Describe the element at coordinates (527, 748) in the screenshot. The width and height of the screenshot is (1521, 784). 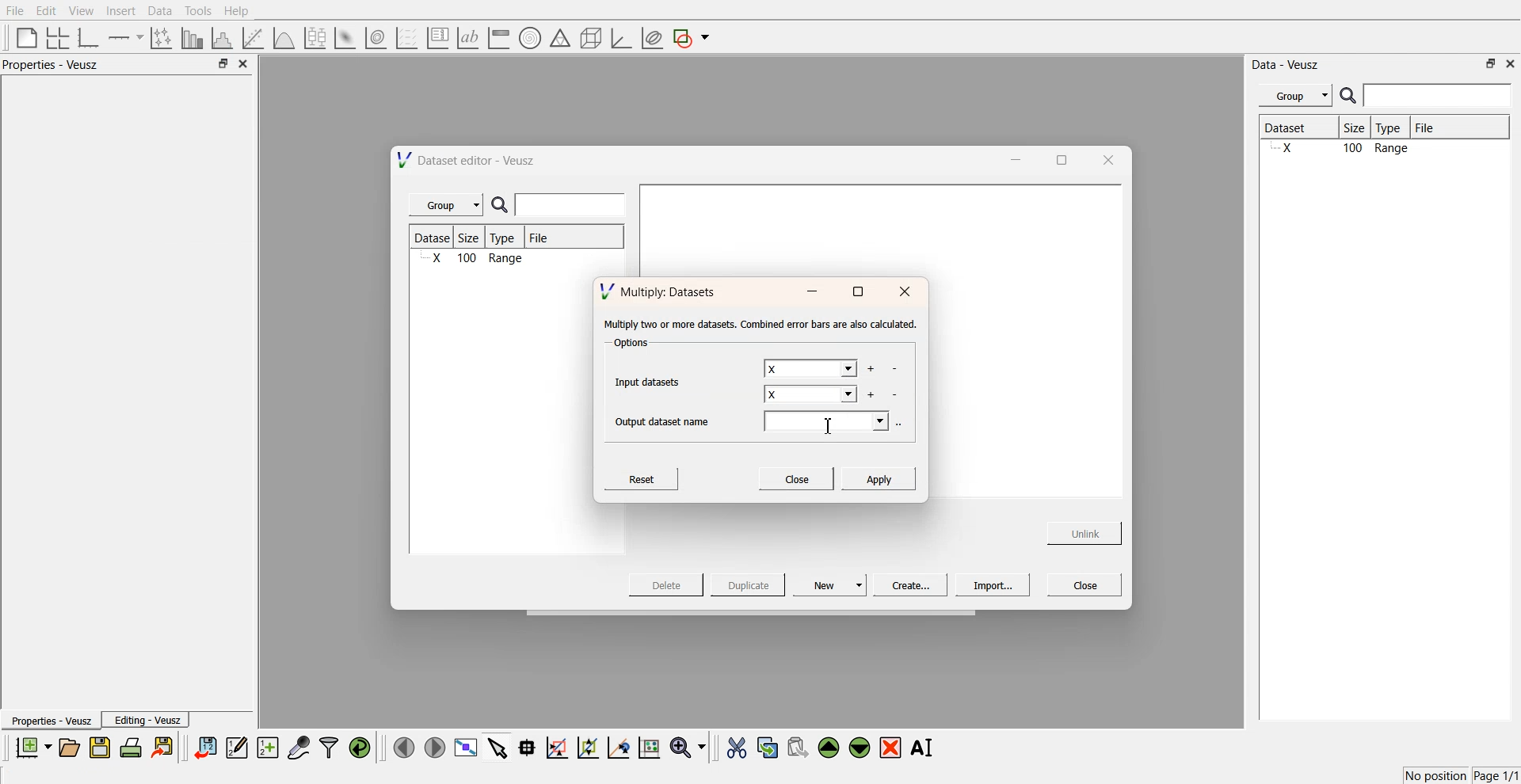
I see `read data points` at that location.